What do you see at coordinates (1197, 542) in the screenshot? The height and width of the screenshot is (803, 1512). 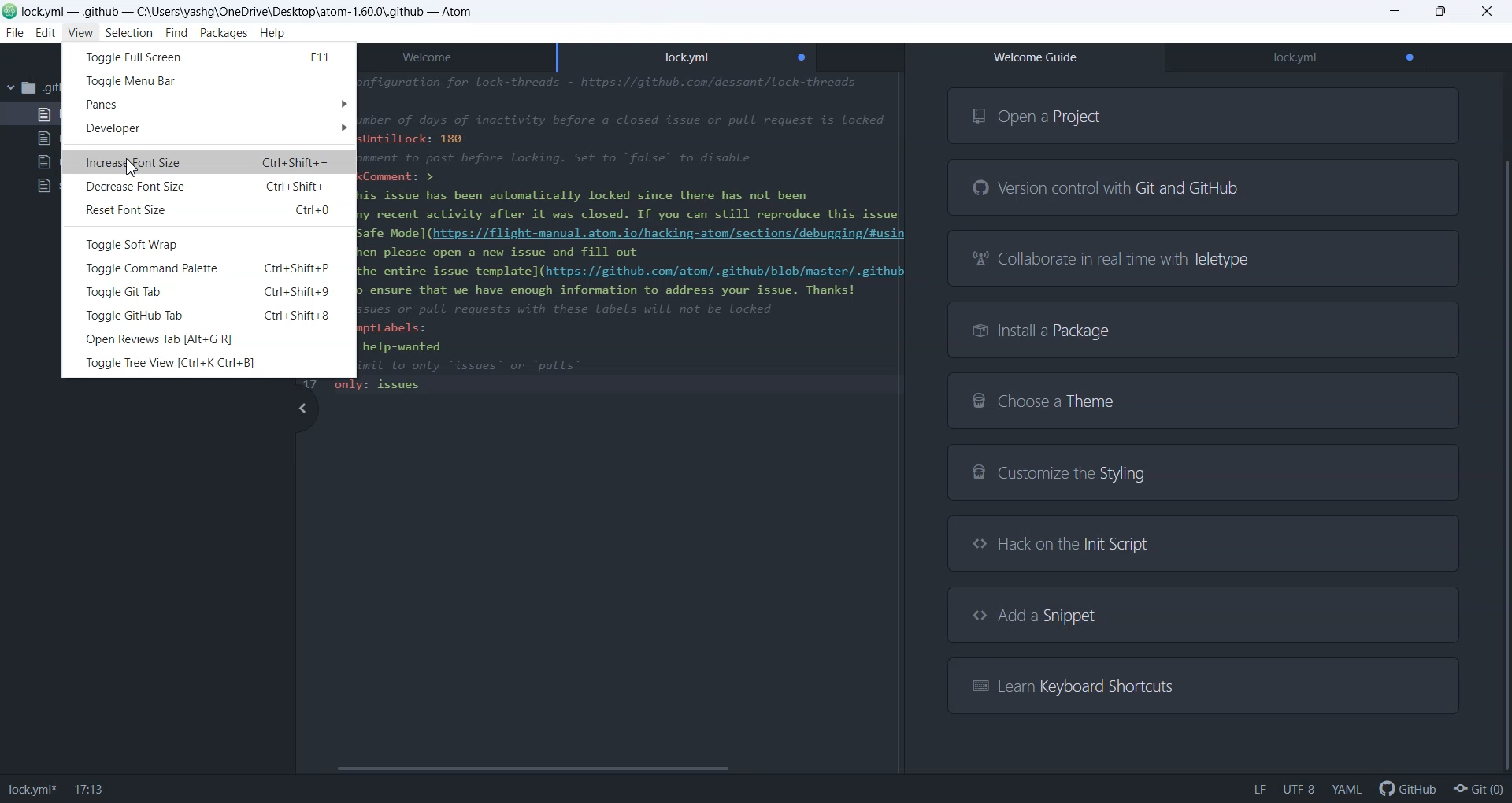 I see `Hack on the Init Script` at bounding box center [1197, 542].